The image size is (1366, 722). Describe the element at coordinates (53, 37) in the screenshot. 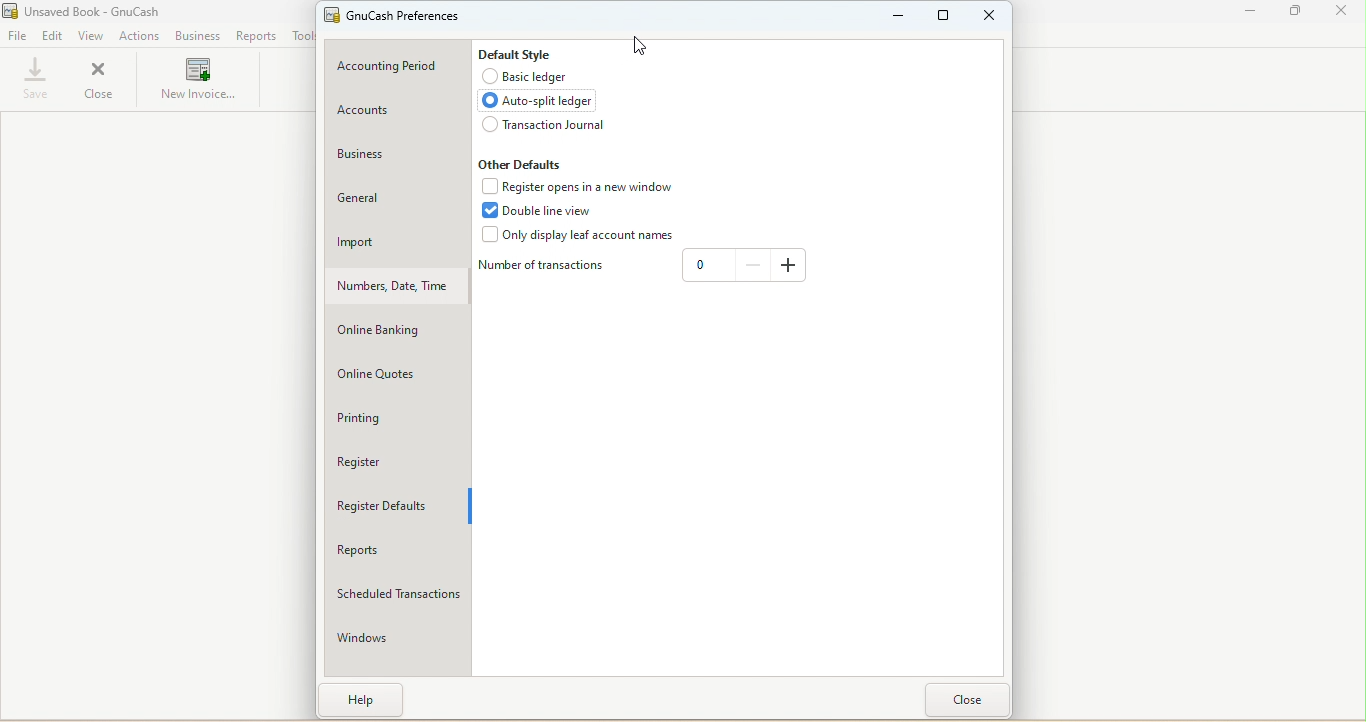

I see `Edit` at that location.